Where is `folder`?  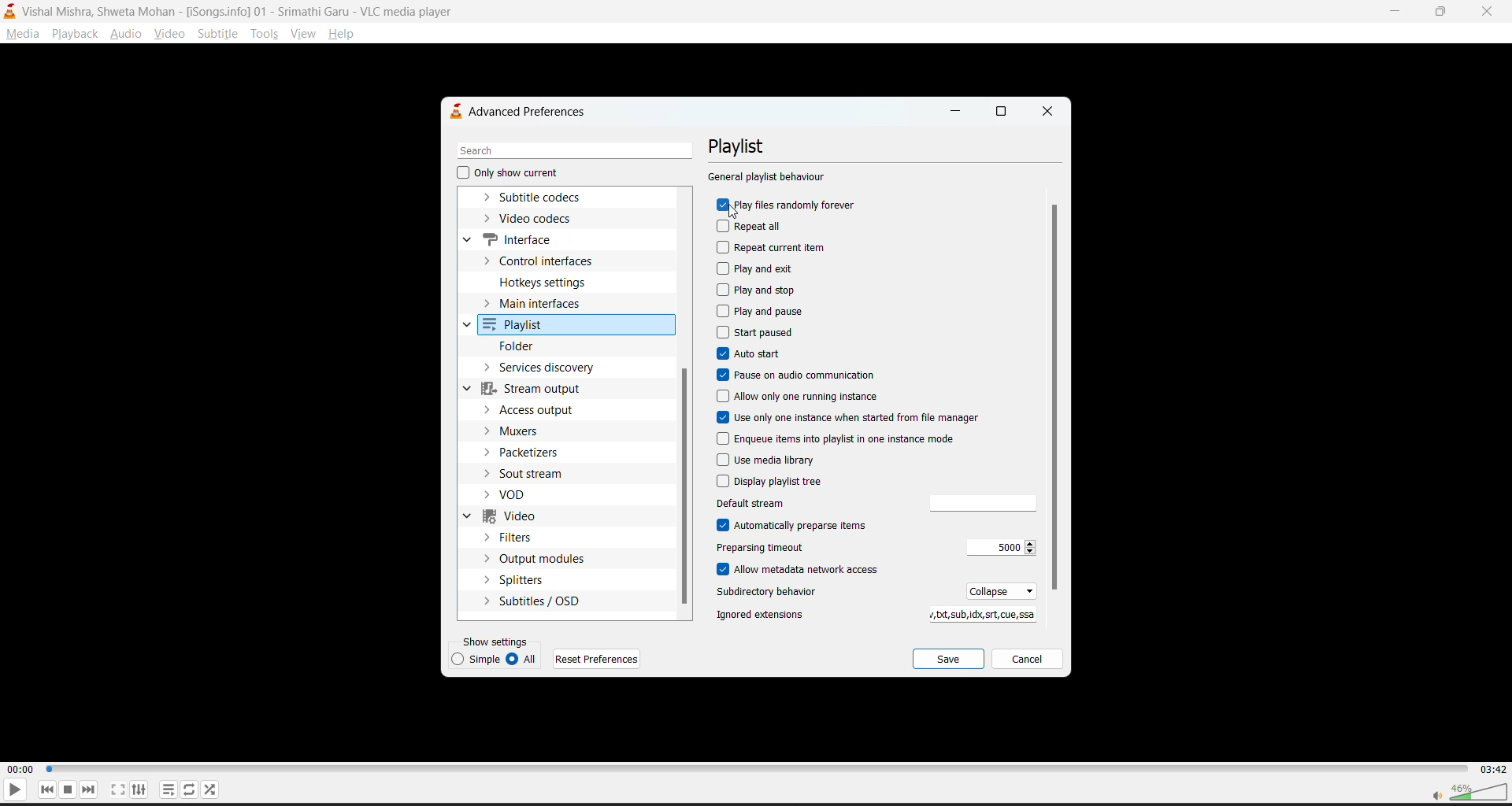
folder is located at coordinates (521, 346).